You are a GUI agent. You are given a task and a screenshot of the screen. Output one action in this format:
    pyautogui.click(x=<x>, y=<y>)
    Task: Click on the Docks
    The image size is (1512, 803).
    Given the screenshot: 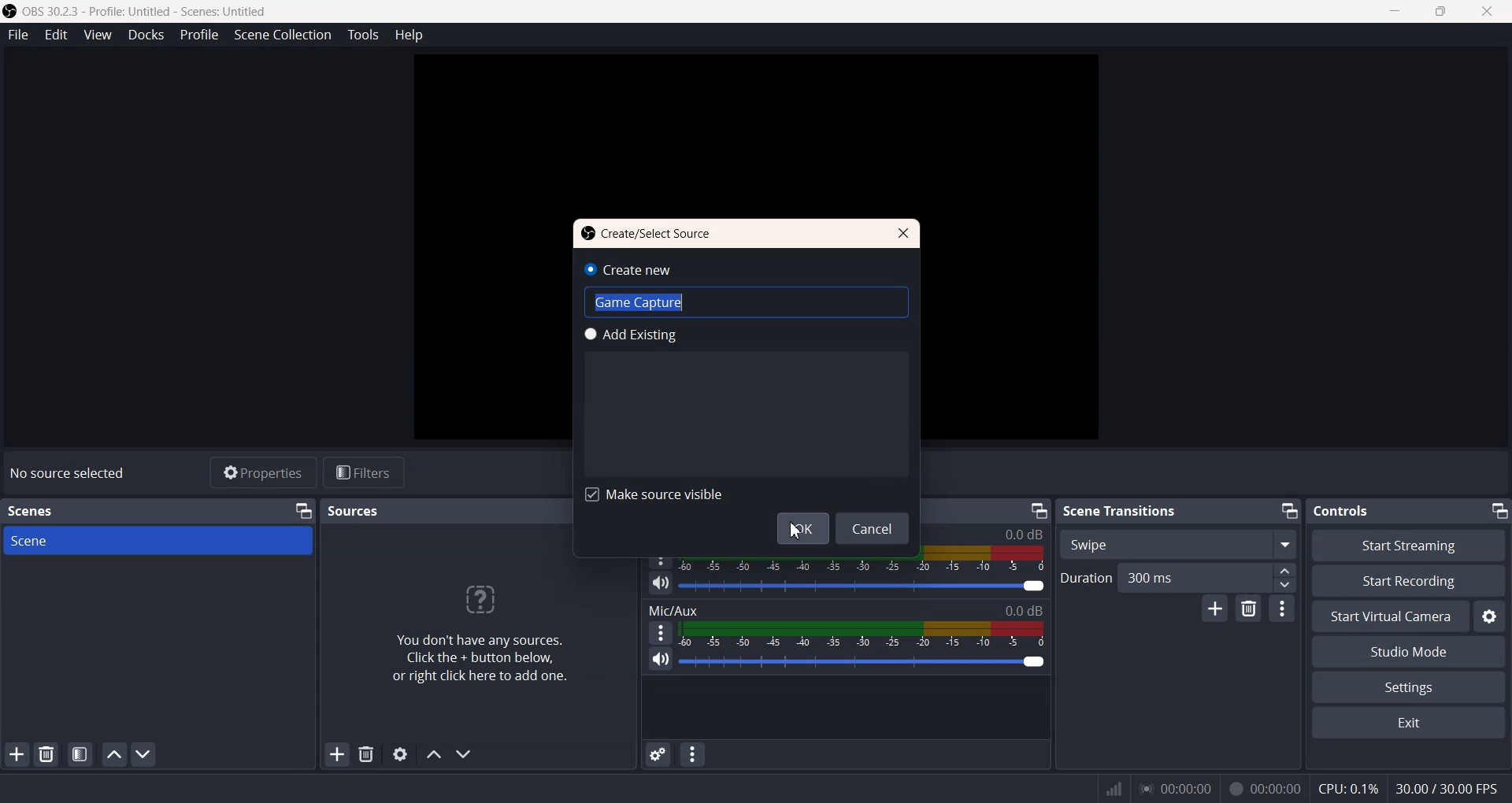 What is the action you would take?
    pyautogui.click(x=144, y=35)
    